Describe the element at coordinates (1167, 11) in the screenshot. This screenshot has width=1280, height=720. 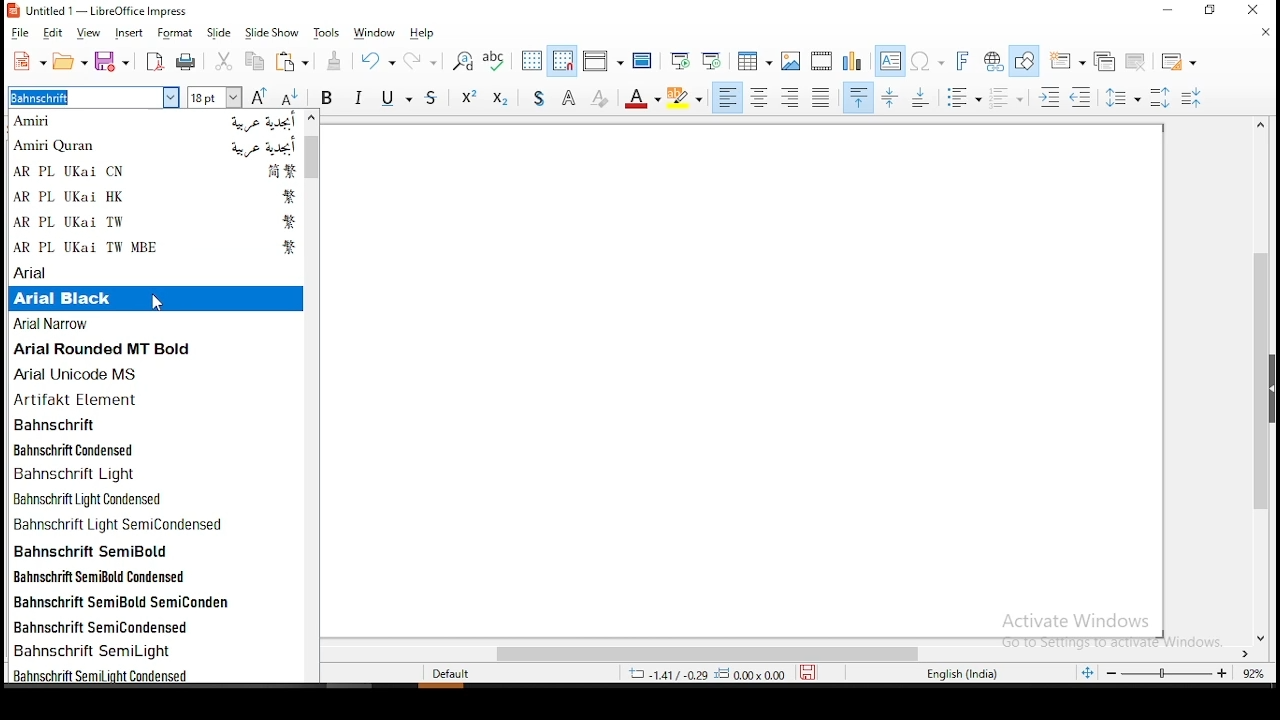
I see `minimize` at that location.